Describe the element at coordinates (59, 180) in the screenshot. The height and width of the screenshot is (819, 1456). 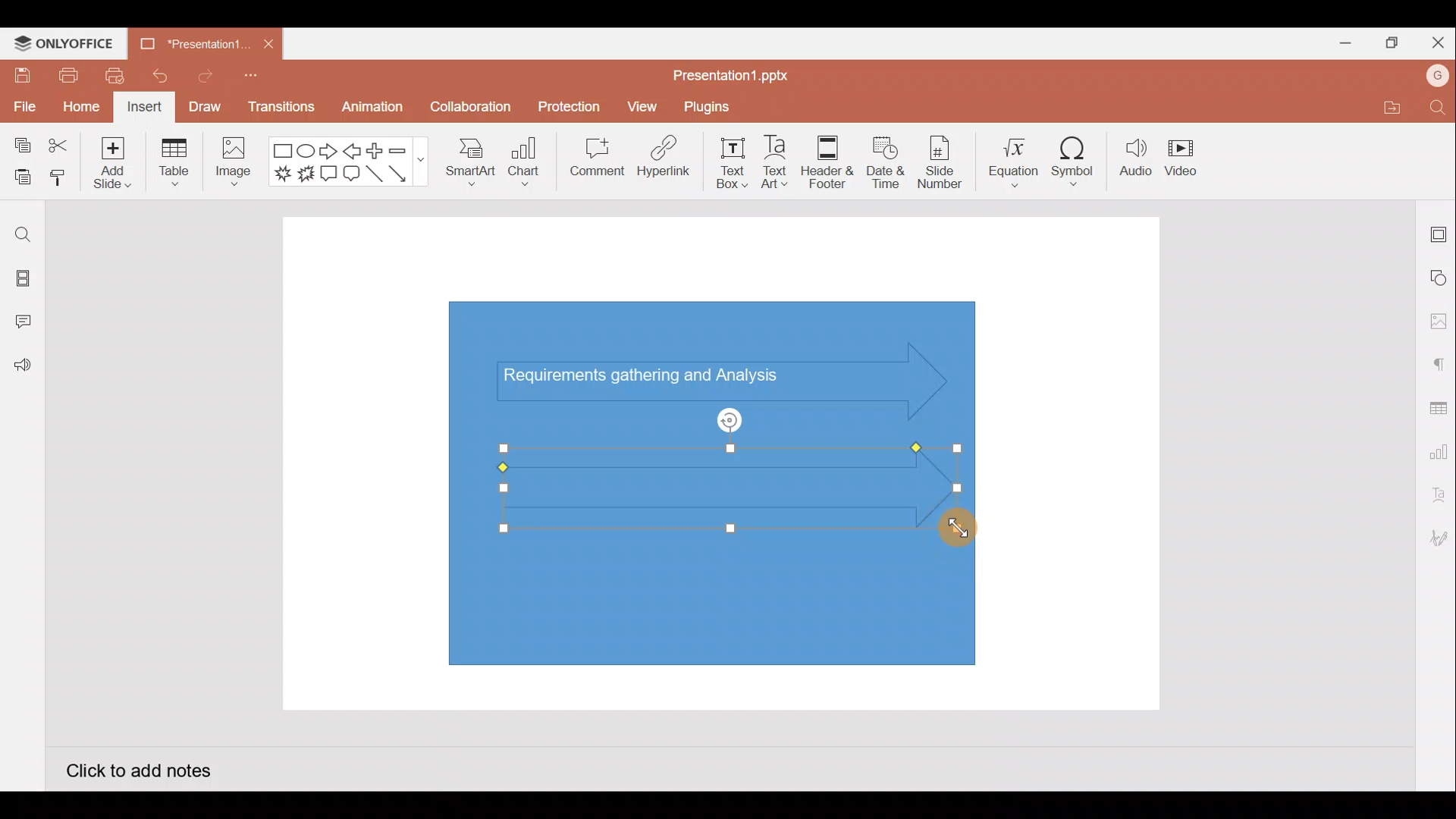
I see `Copy style` at that location.